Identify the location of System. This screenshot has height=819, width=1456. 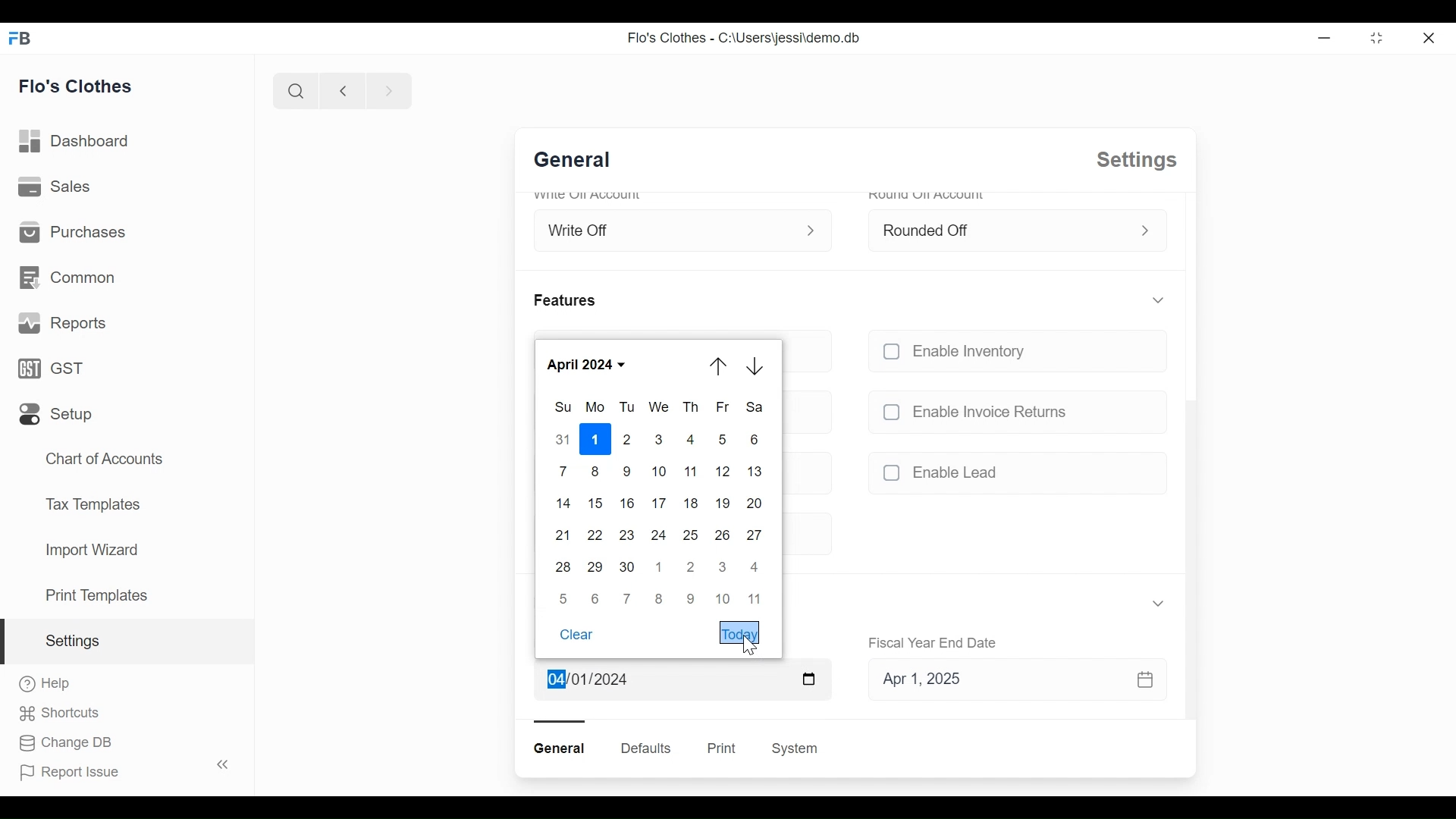
(798, 748).